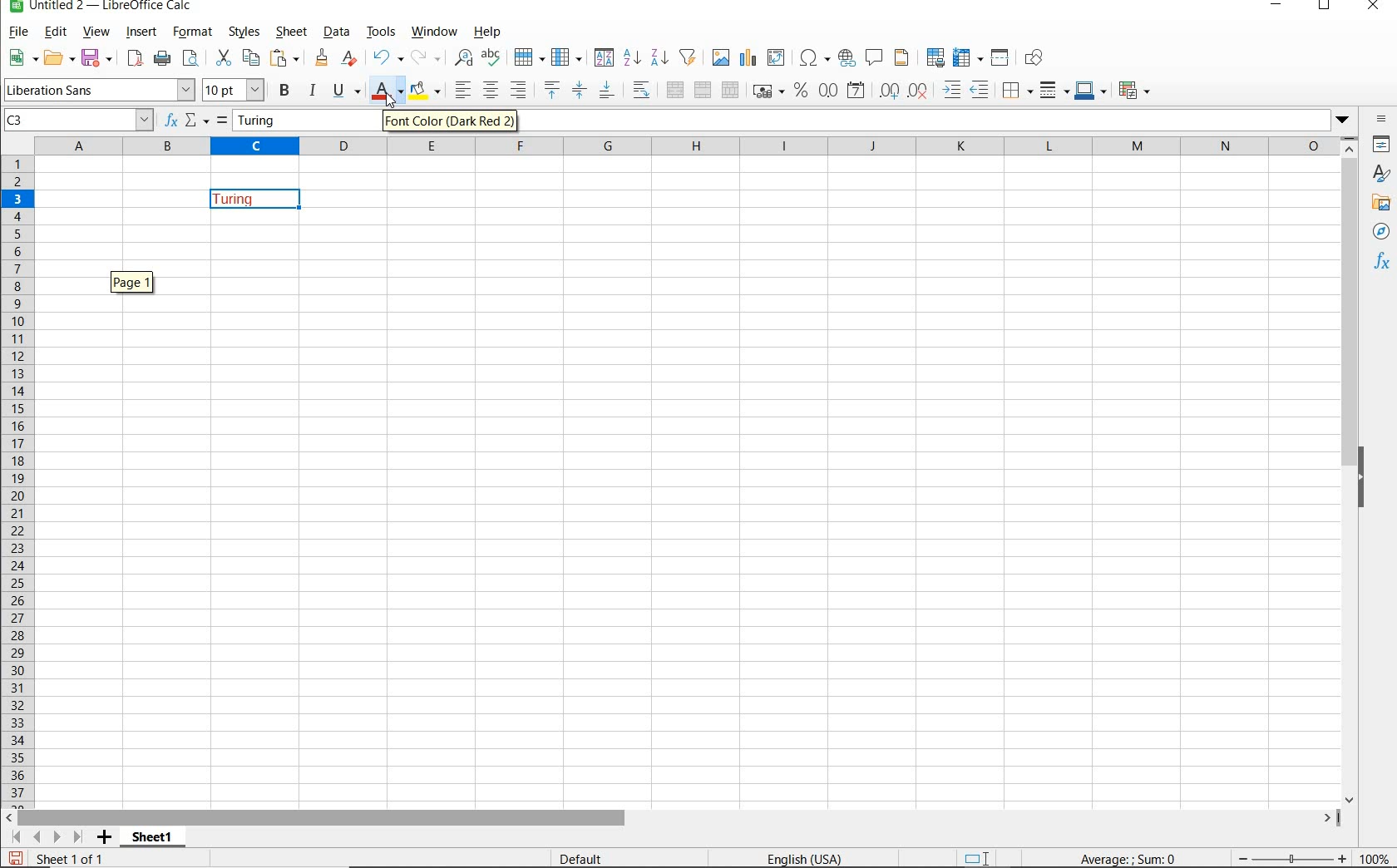 The image size is (1397, 868). What do you see at coordinates (339, 33) in the screenshot?
I see `DATA` at bounding box center [339, 33].